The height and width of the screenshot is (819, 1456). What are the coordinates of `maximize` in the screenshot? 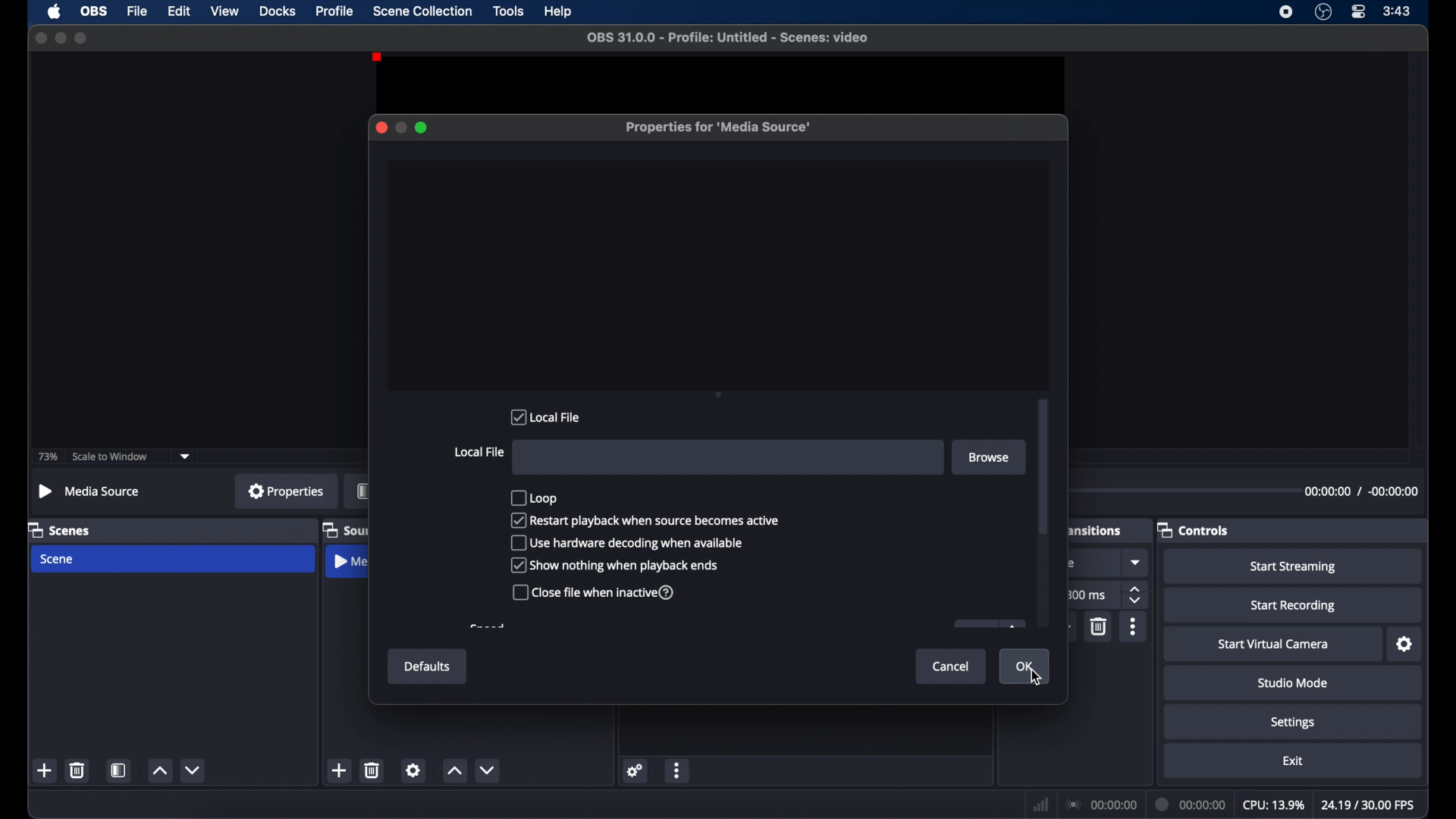 It's located at (422, 128).